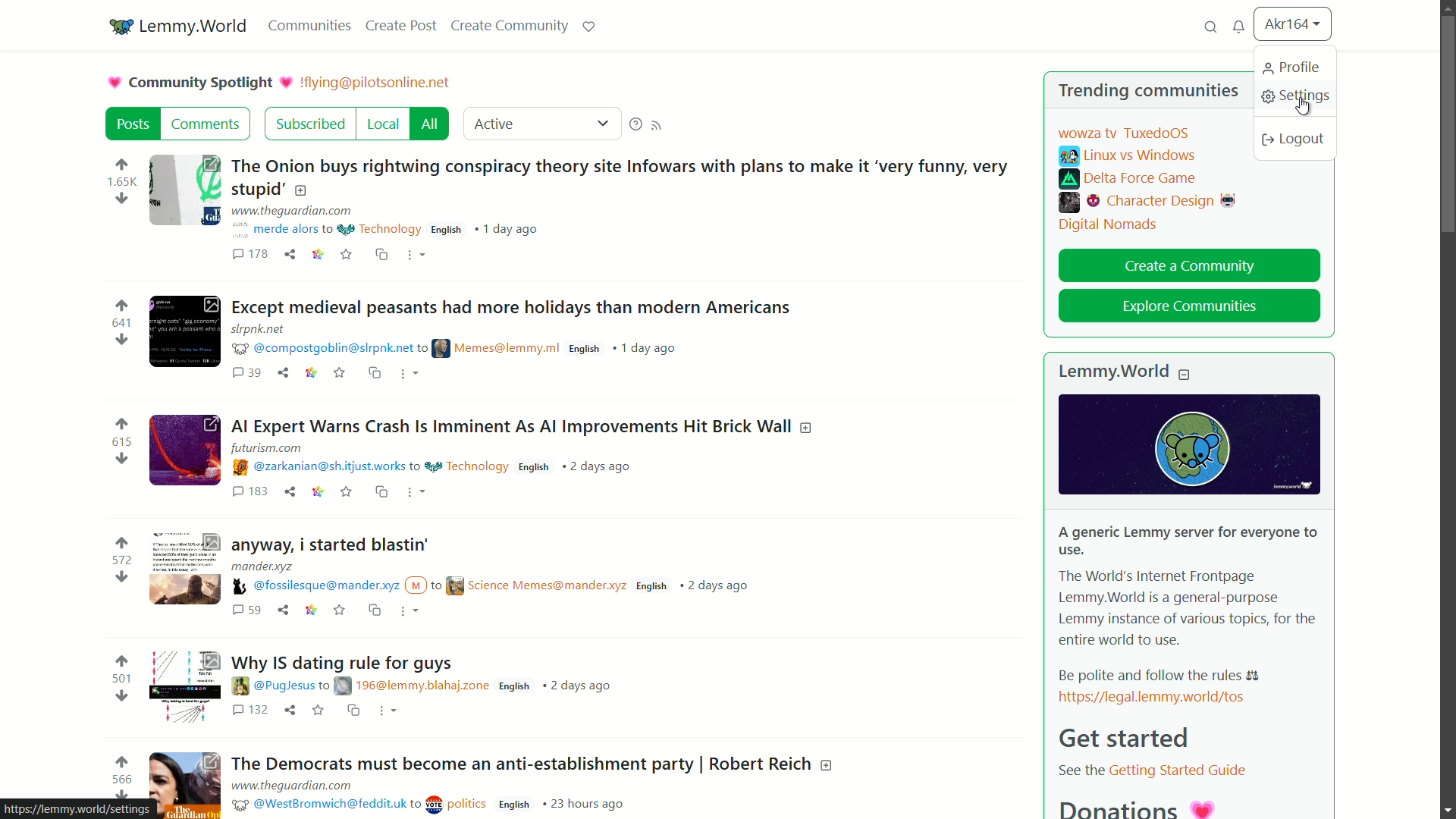  What do you see at coordinates (442, 459) in the screenshot?
I see `post details` at bounding box center [442, 459].